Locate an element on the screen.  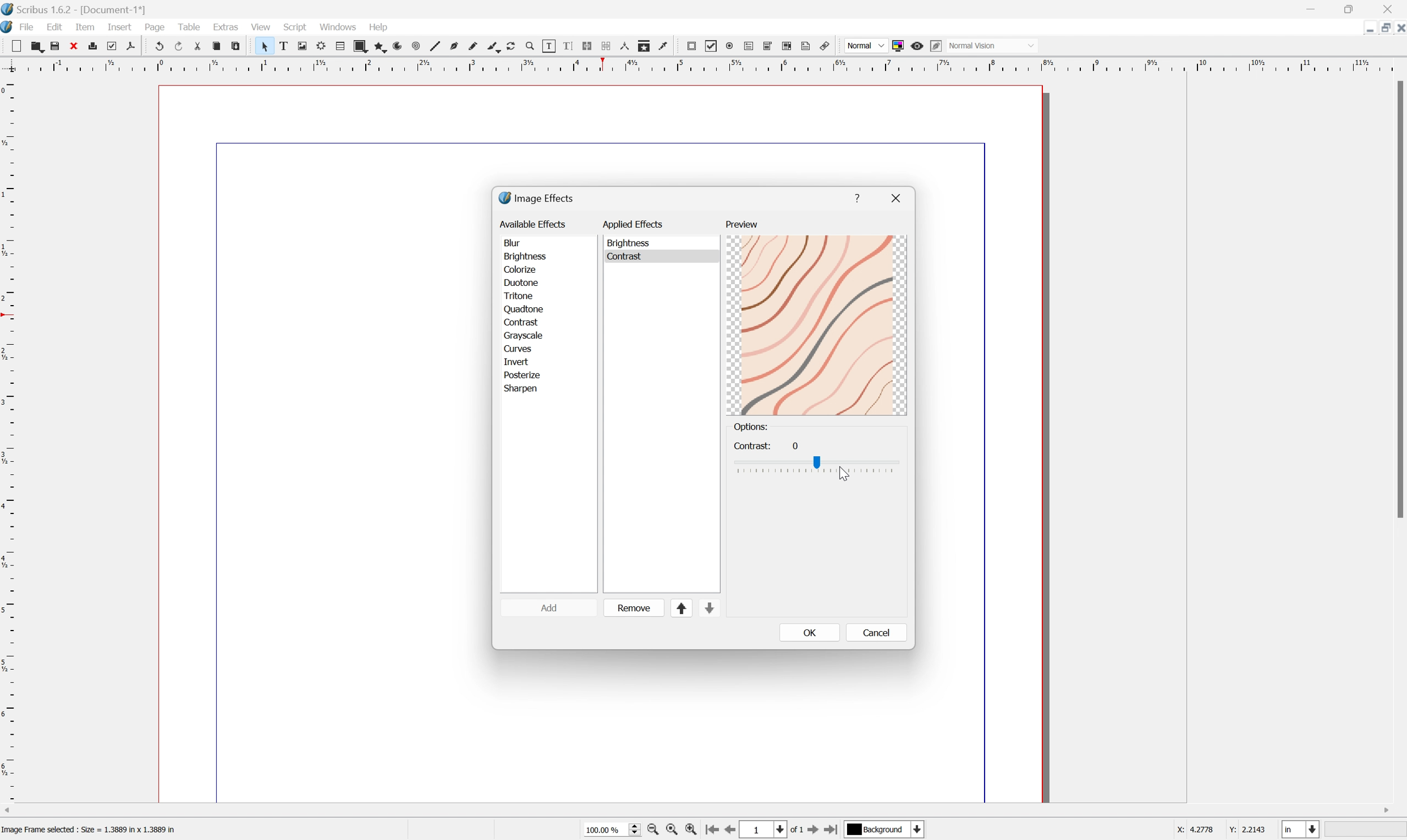
posterize is located at coordinates (521, 373).